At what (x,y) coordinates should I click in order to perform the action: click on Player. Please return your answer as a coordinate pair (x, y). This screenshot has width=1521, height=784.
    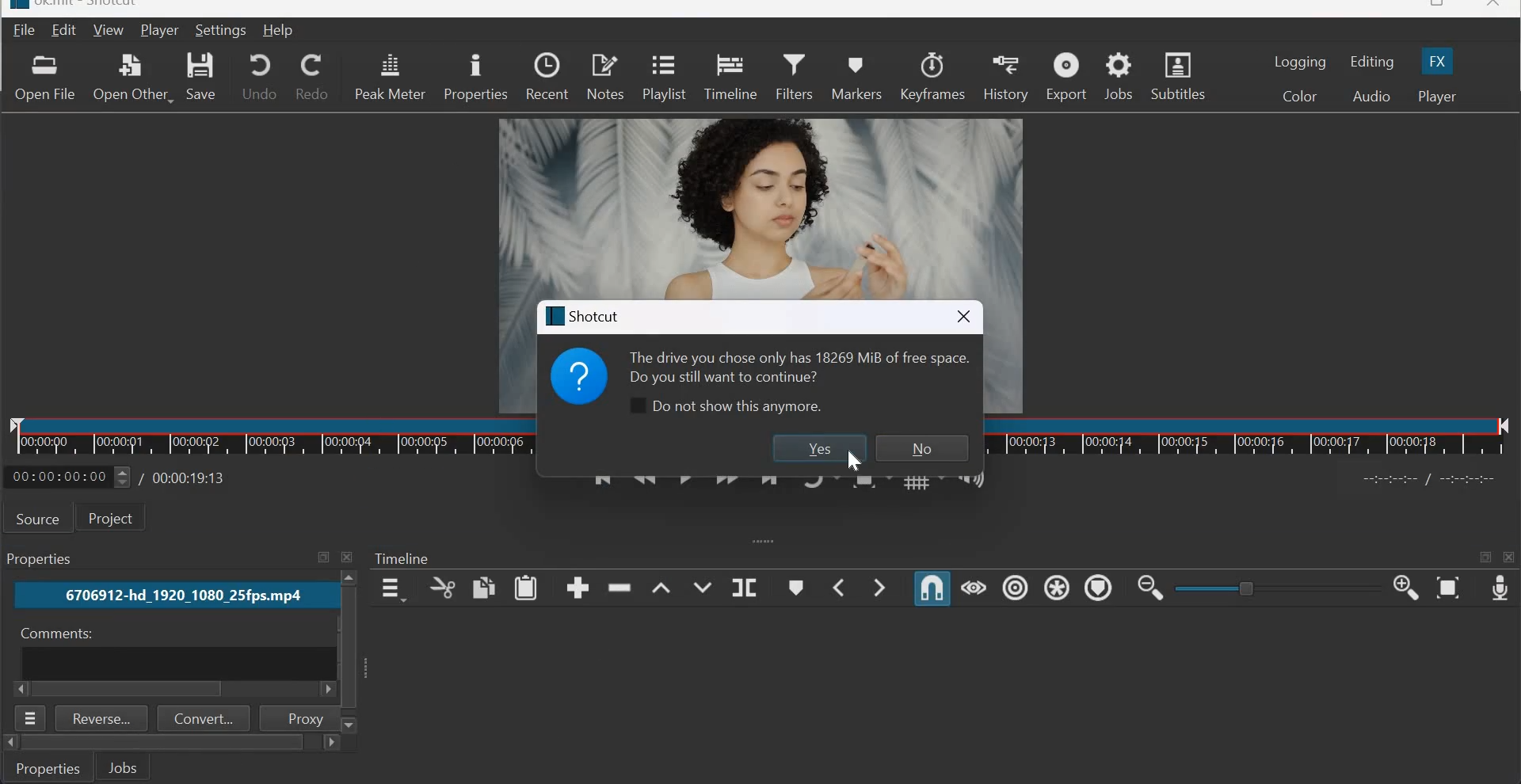
    Looking at the image, I should click on (1437, 97).